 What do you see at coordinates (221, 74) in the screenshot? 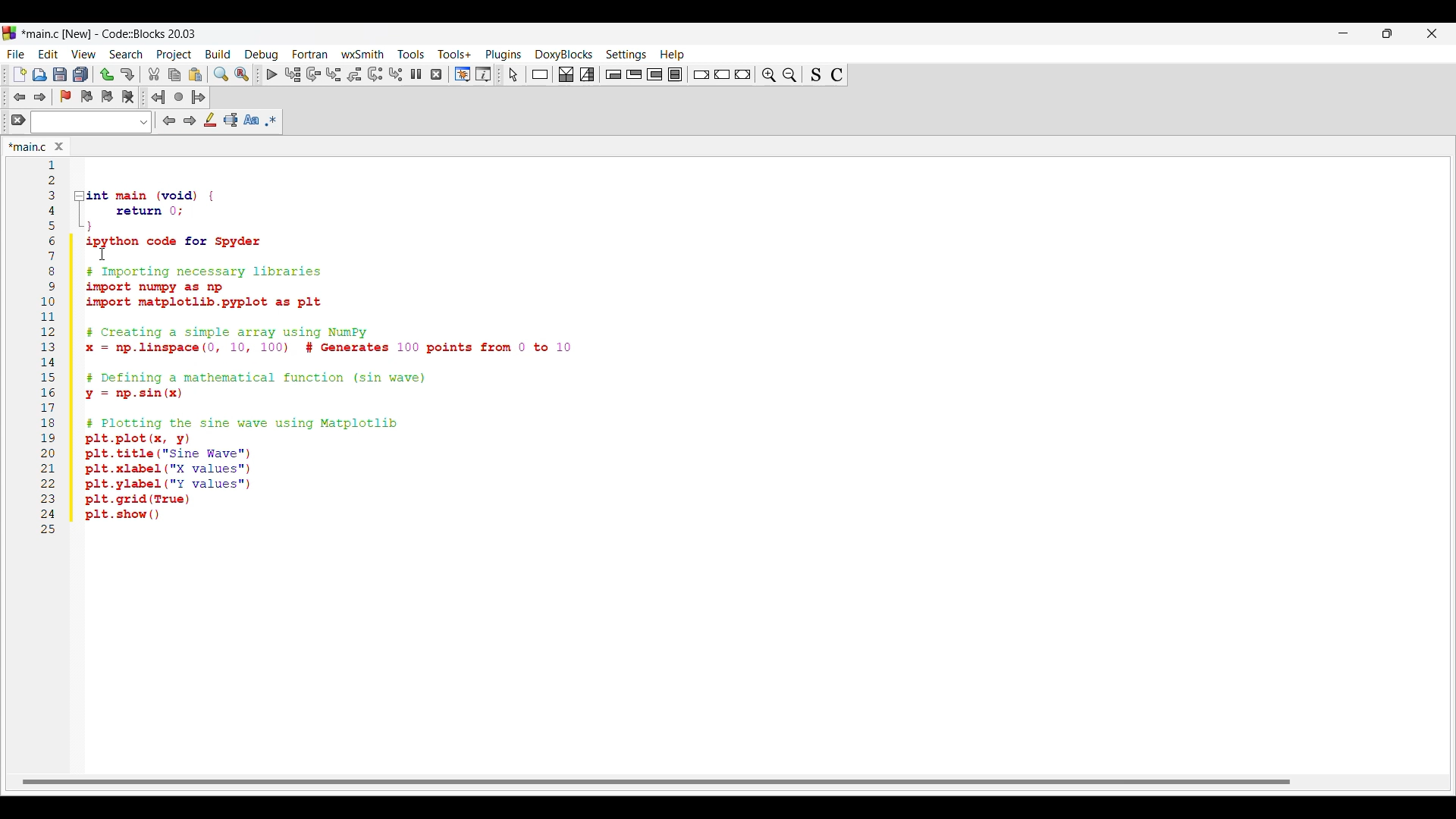
I see `Find` at bounding box center [221, 74].